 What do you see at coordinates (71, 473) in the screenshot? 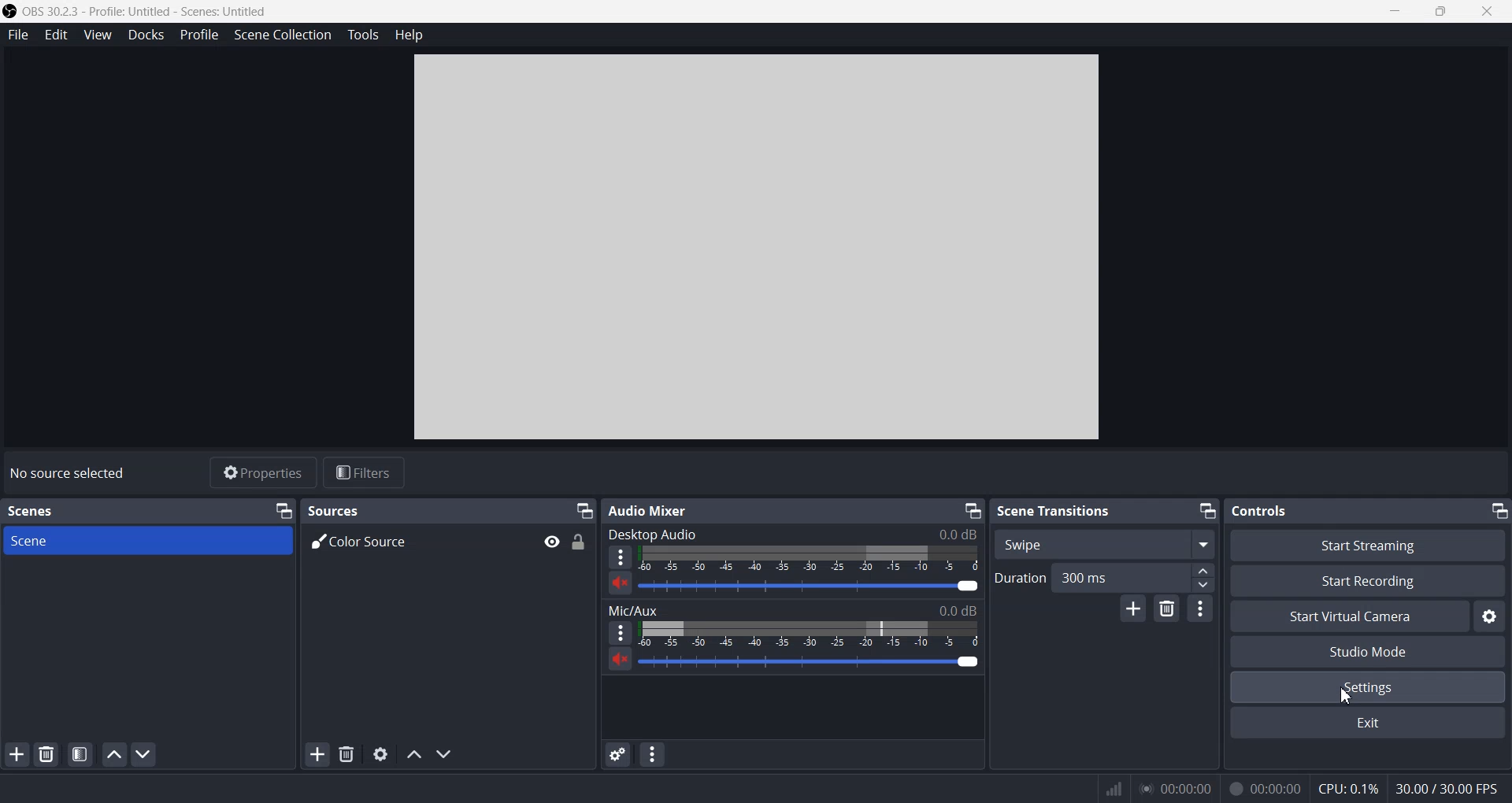
I see `Text` at bounding box center [71, 473].